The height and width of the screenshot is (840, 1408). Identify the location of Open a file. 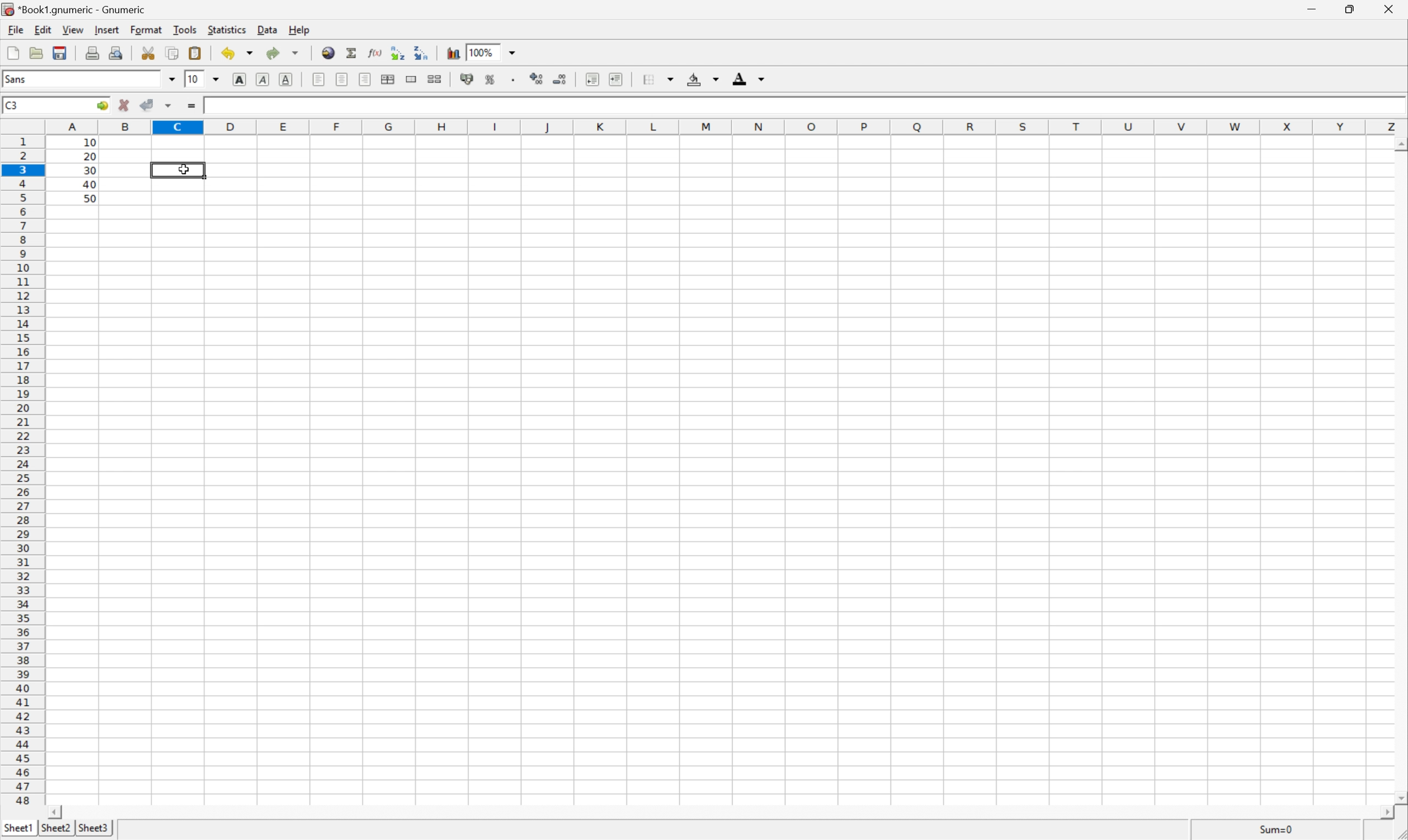
(38, 51).